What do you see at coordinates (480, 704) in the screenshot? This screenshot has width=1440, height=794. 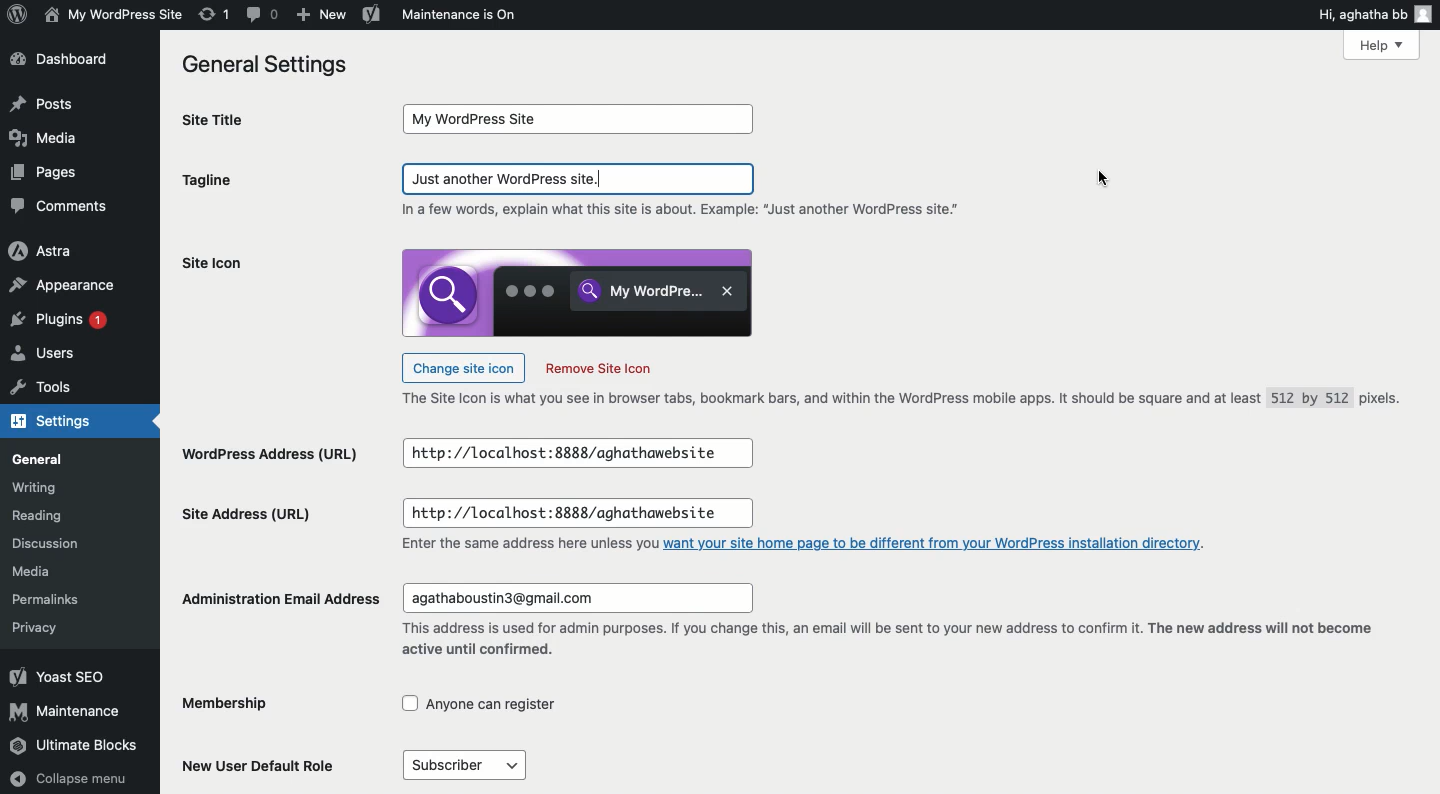 I see `checkbox` at bounding box center [480, 704].